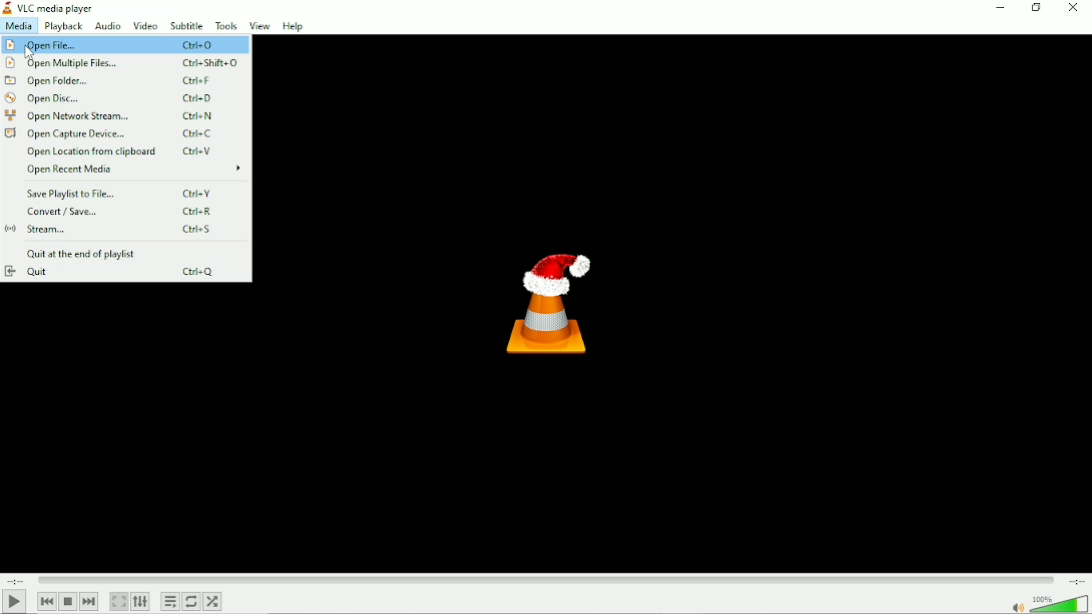 This screenshot has width=1092, height=614. I want to click on Minimize, so click(999, 7).